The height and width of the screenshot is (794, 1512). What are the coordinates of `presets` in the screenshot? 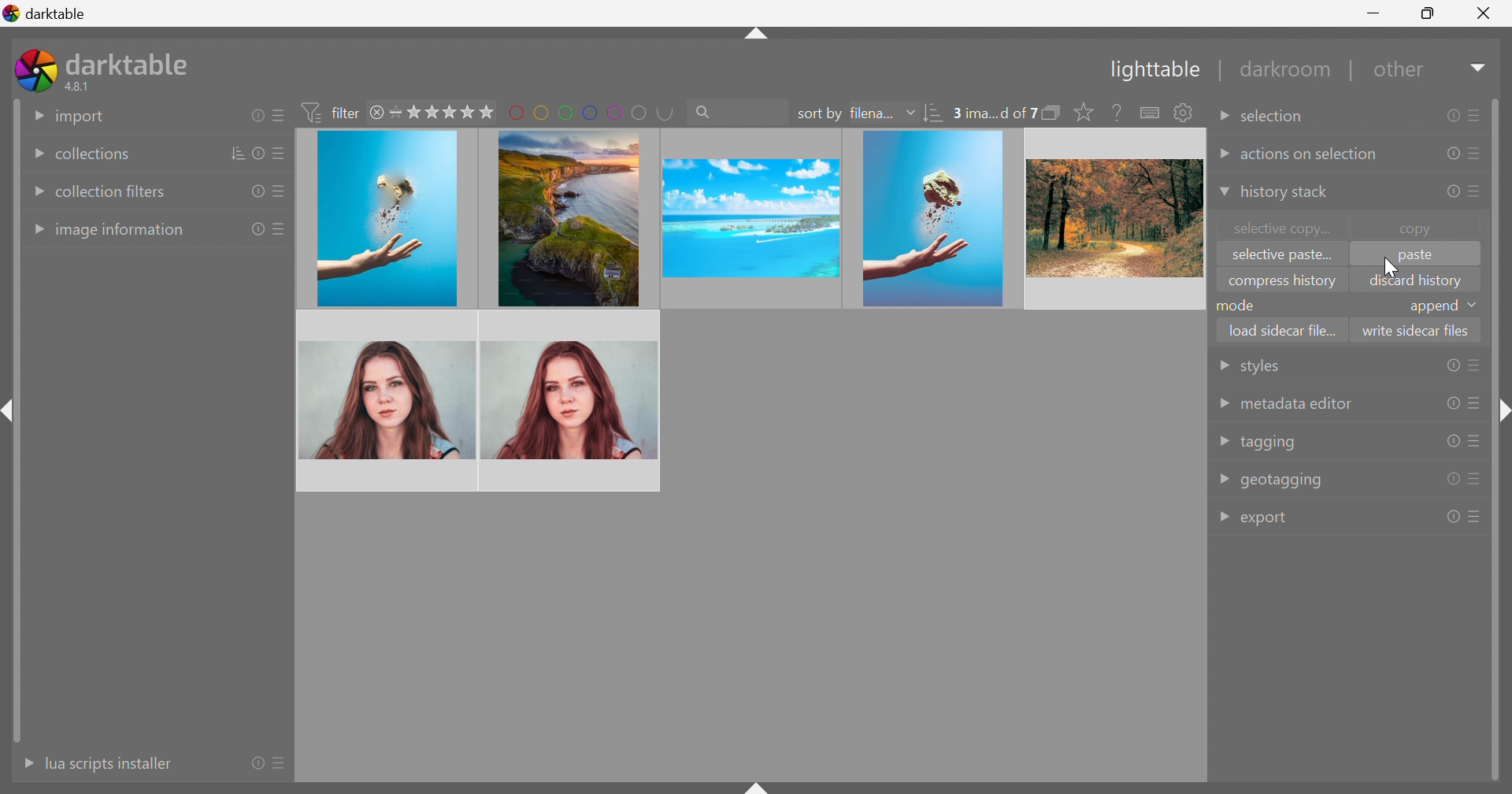 It's located at (280, 155).